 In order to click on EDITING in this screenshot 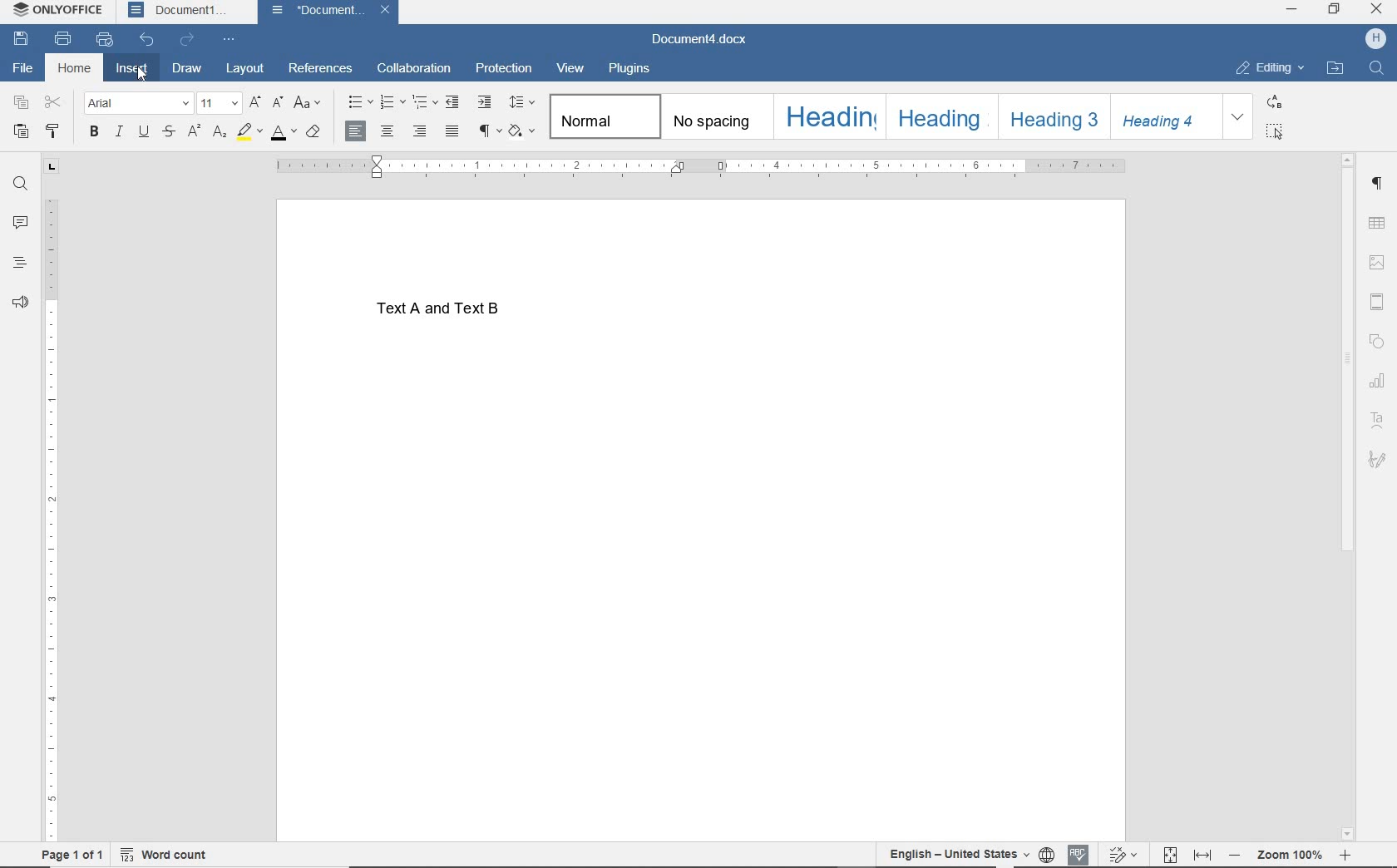, I will do `click(1270, 69)`.